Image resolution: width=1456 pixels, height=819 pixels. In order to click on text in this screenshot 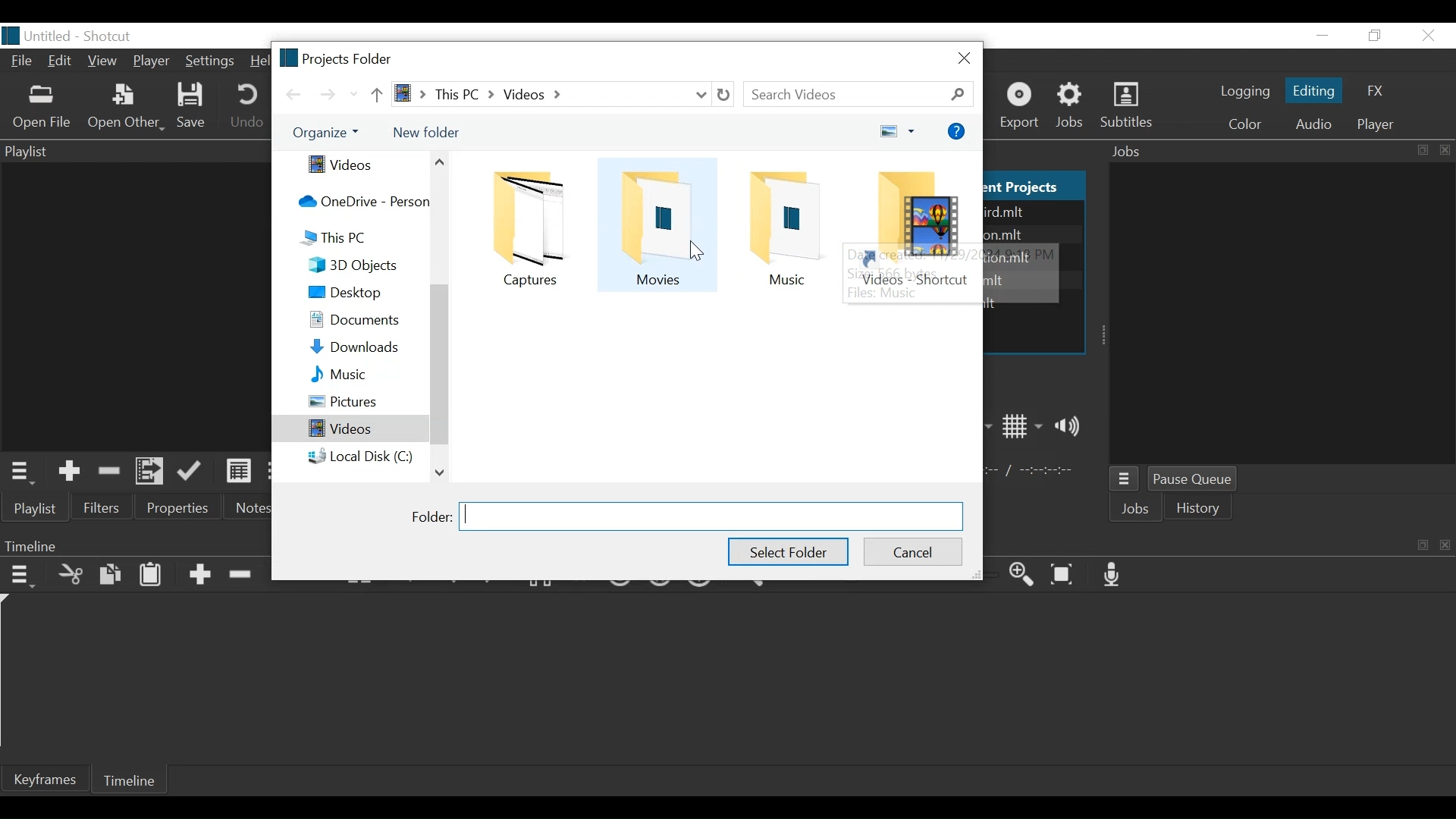, I will do `click(1028, 250)`.